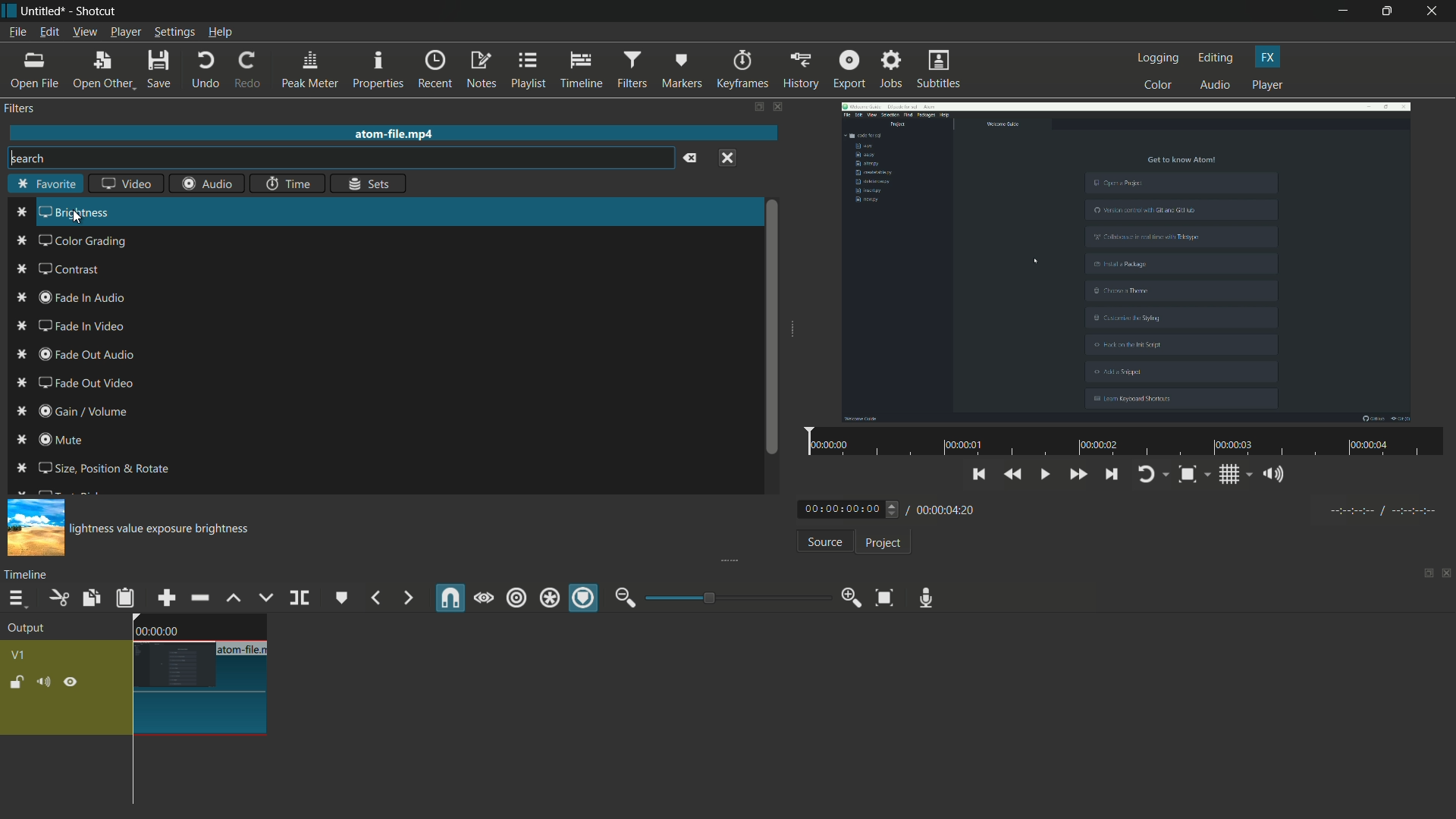  What do you see at coordinates (1122, 443) in the screenshot?
I see `video time` at bounding box center [1122, 443].